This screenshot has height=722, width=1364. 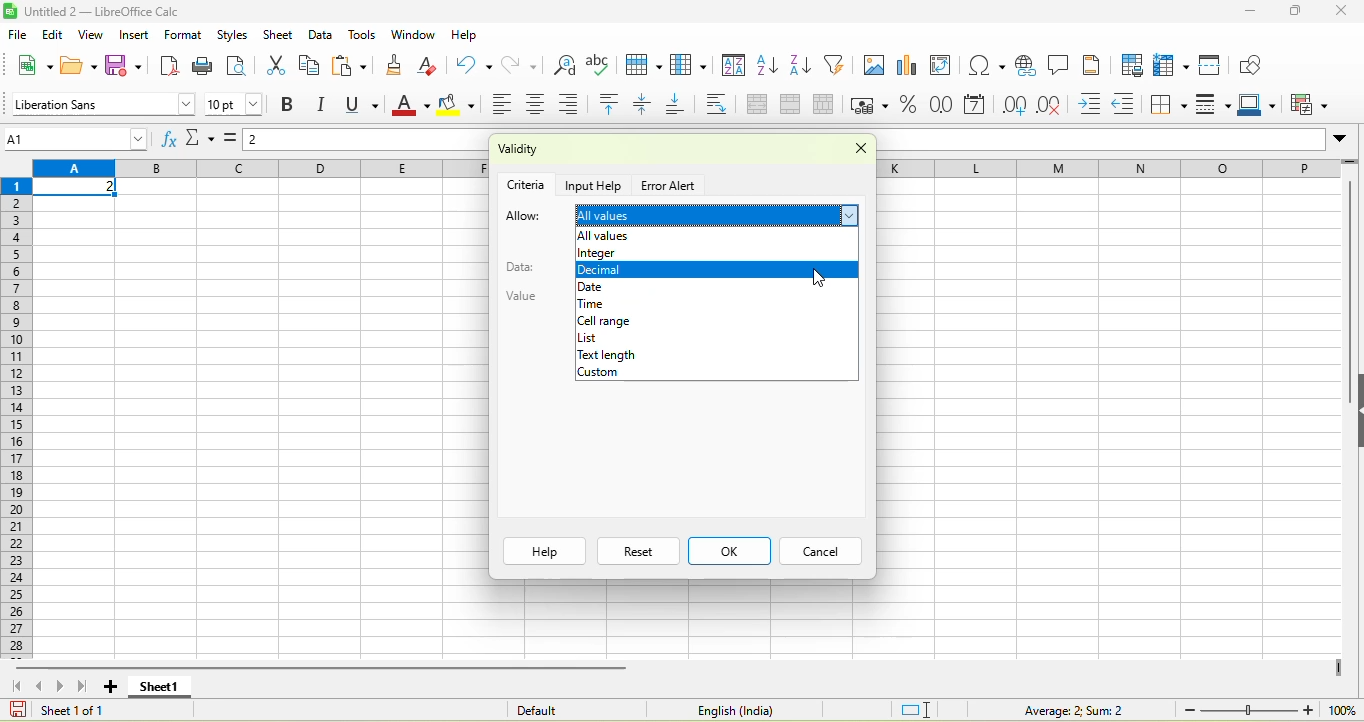 What do you see at coordinates (1025, 65) in the screenshot?
I see `hyperlink` at bounding box center [1025, 65].